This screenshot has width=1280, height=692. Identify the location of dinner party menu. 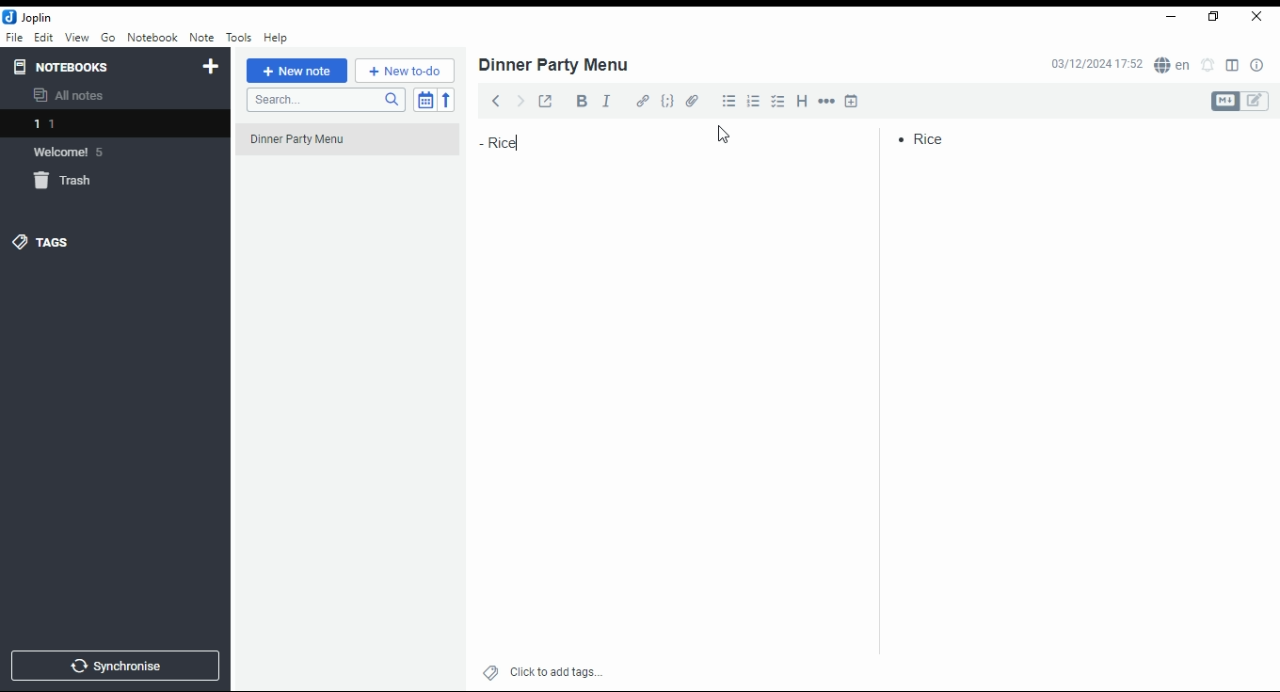
(353, 146).